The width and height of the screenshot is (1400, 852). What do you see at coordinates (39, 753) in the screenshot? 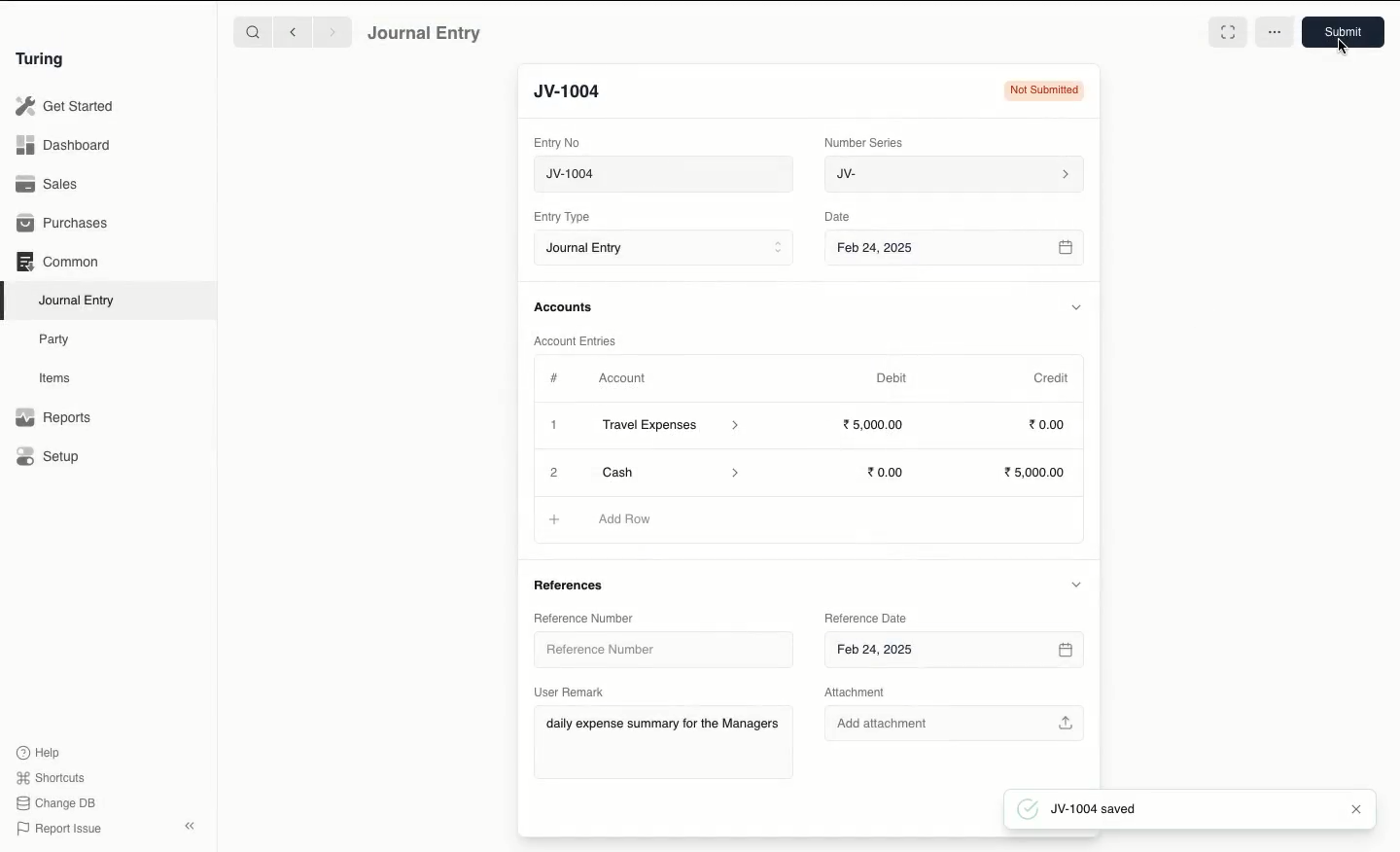
I see `Help` at bounding box center [39, 753].